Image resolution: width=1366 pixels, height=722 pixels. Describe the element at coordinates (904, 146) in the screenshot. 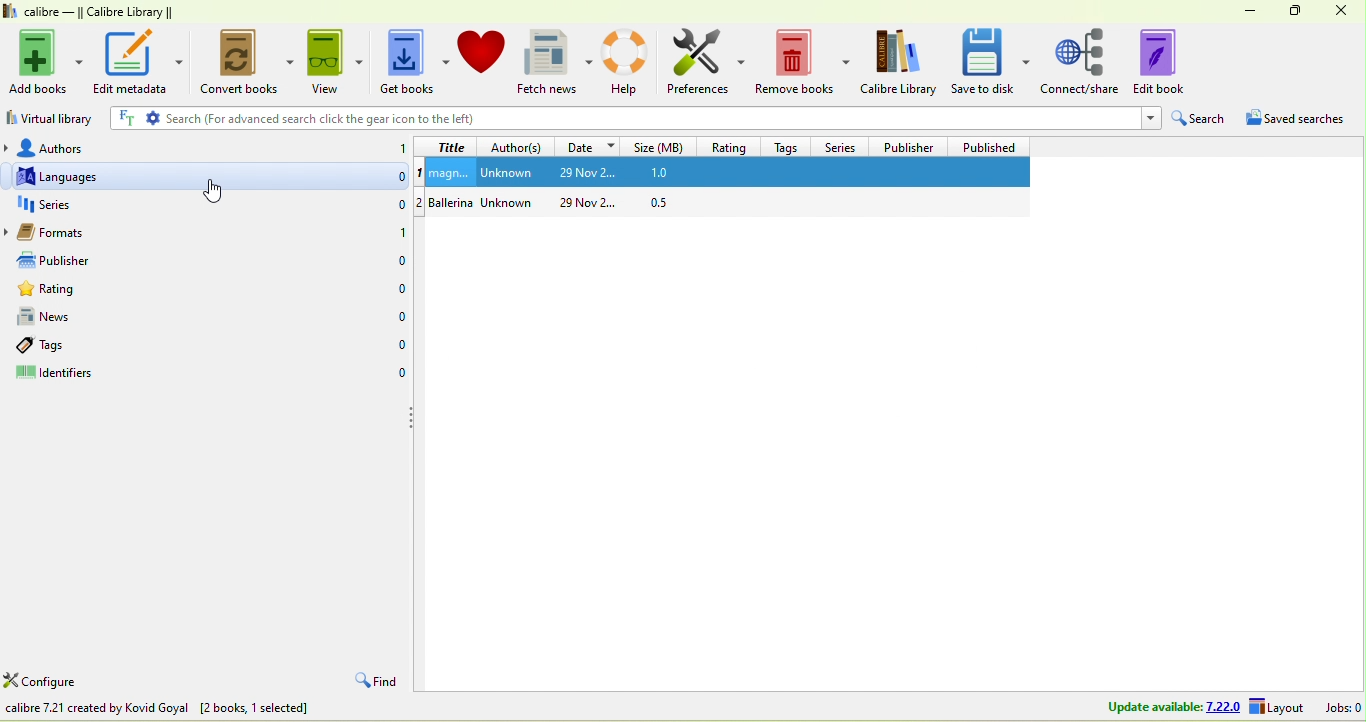

I see `publisher` at that location.